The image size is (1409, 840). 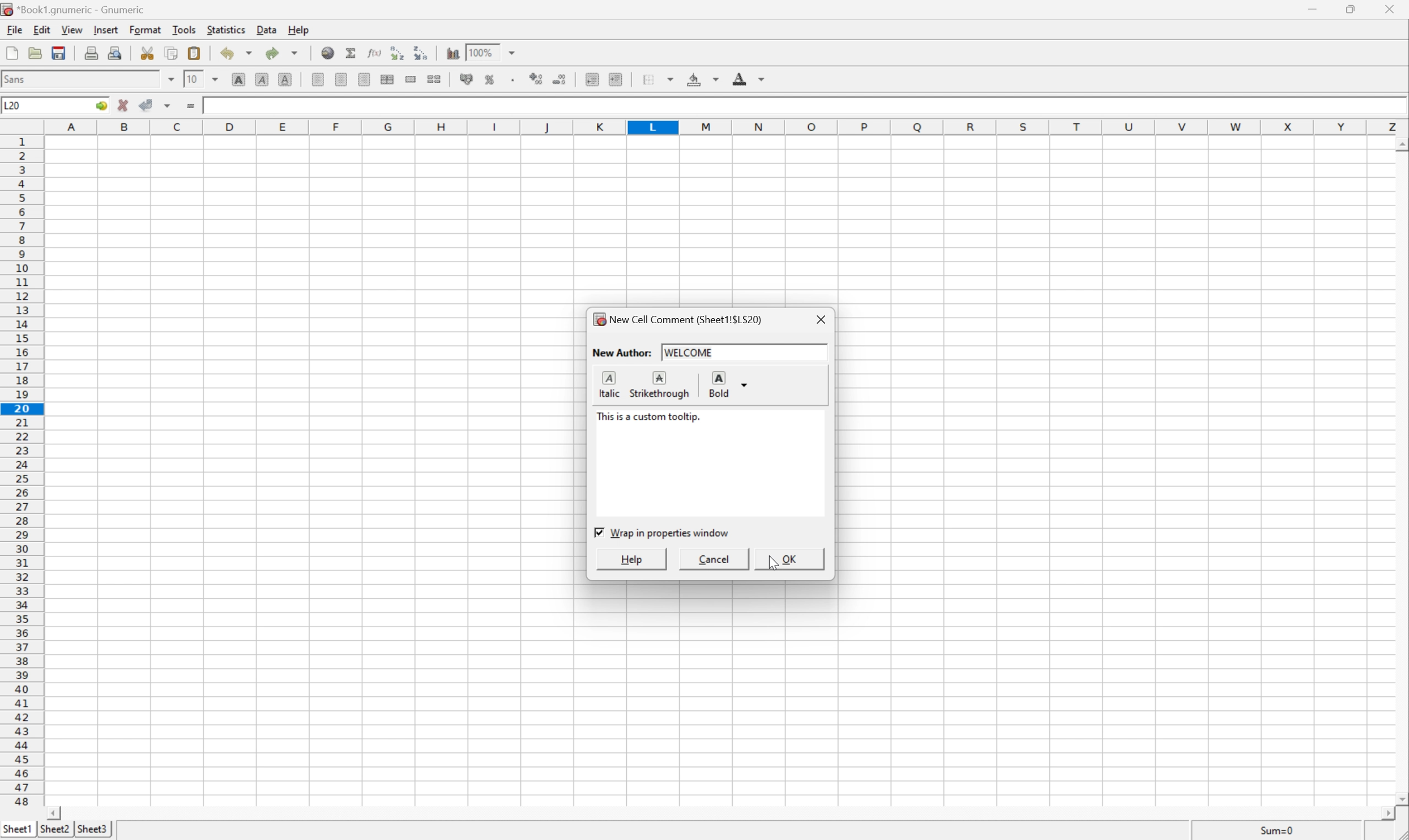 I want to click on Drop Down, so click(x=170, y=78).